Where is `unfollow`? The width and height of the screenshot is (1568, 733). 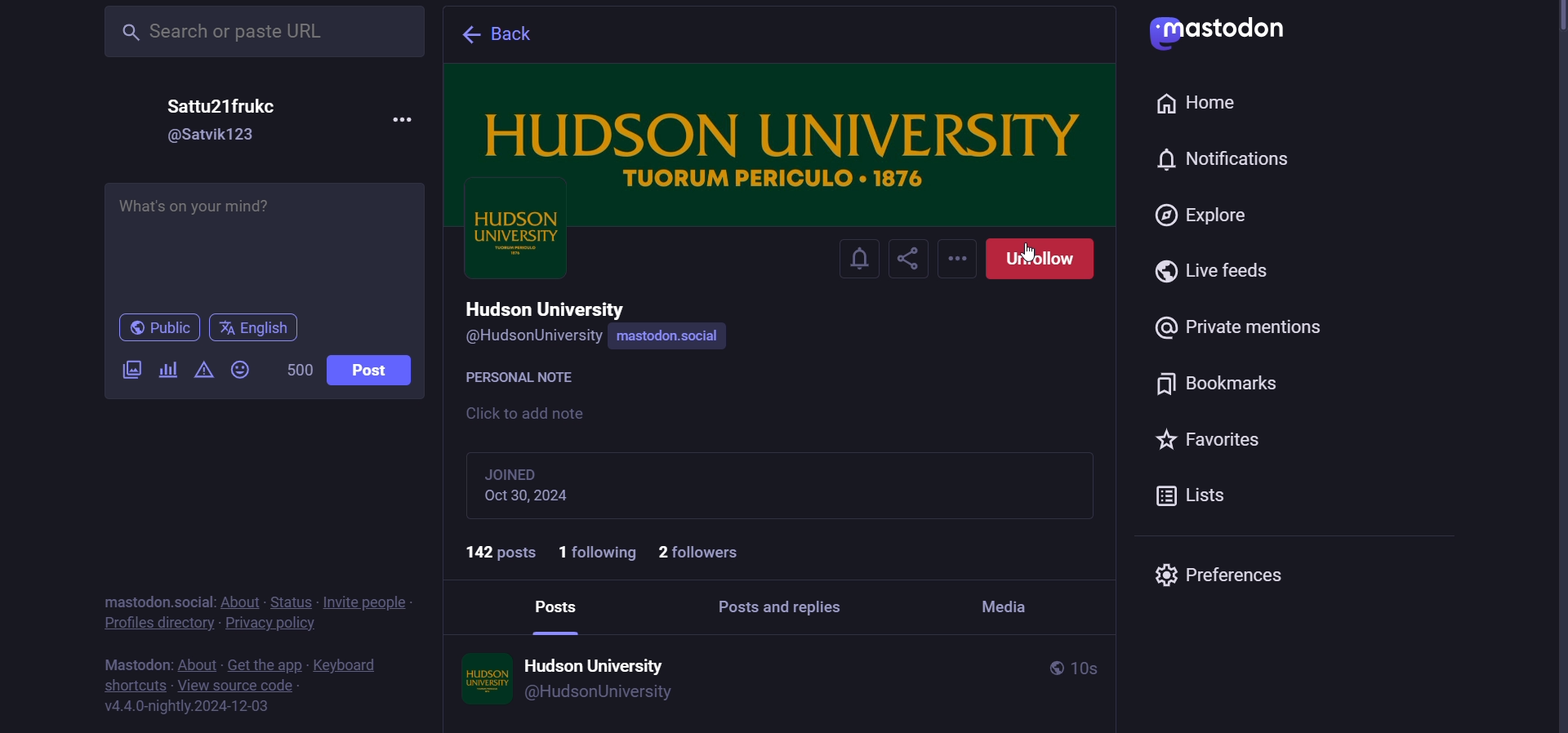 unfollow is located at coordinates (1046, 260).